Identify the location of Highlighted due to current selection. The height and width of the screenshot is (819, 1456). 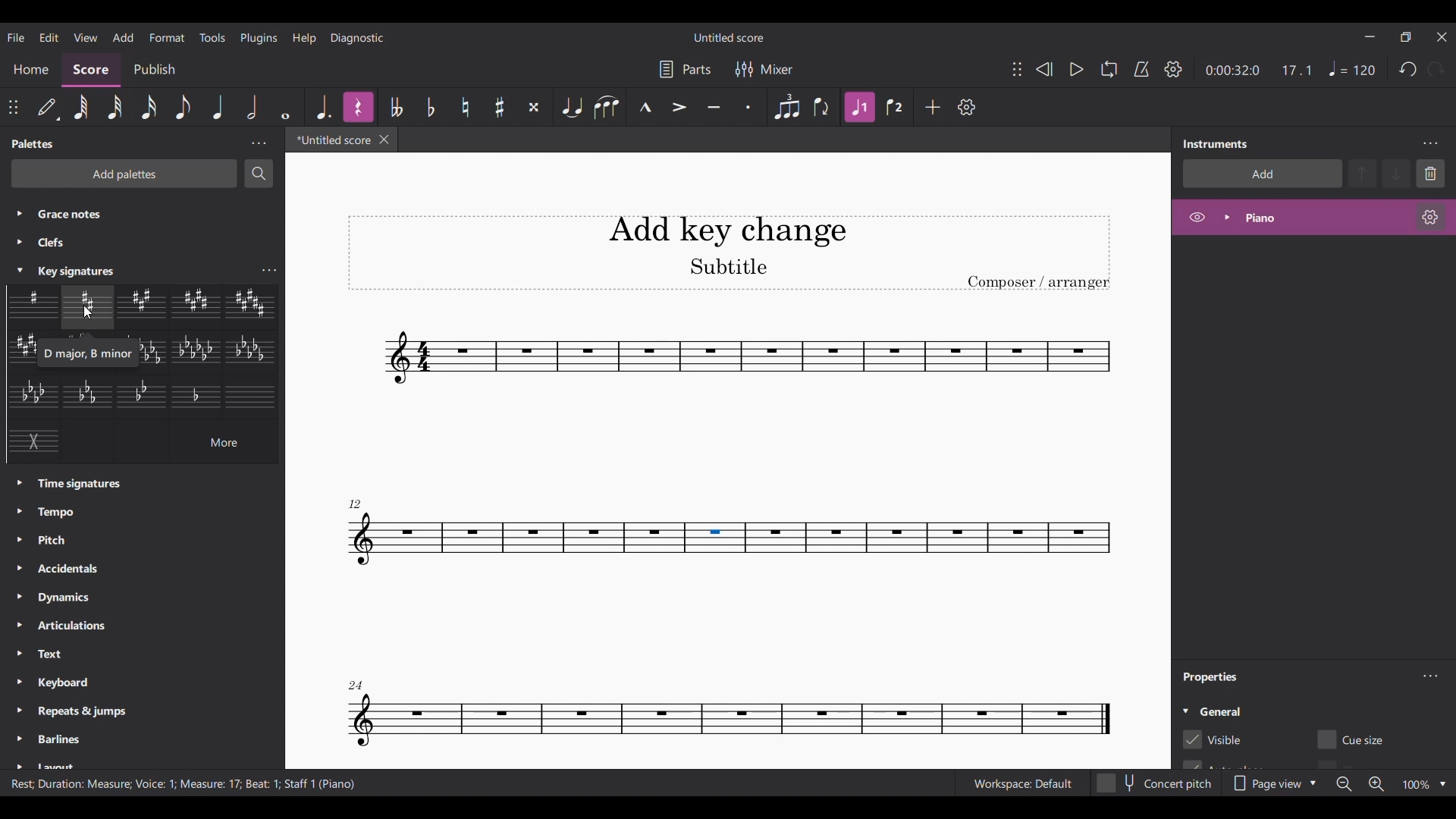
(358, 107).